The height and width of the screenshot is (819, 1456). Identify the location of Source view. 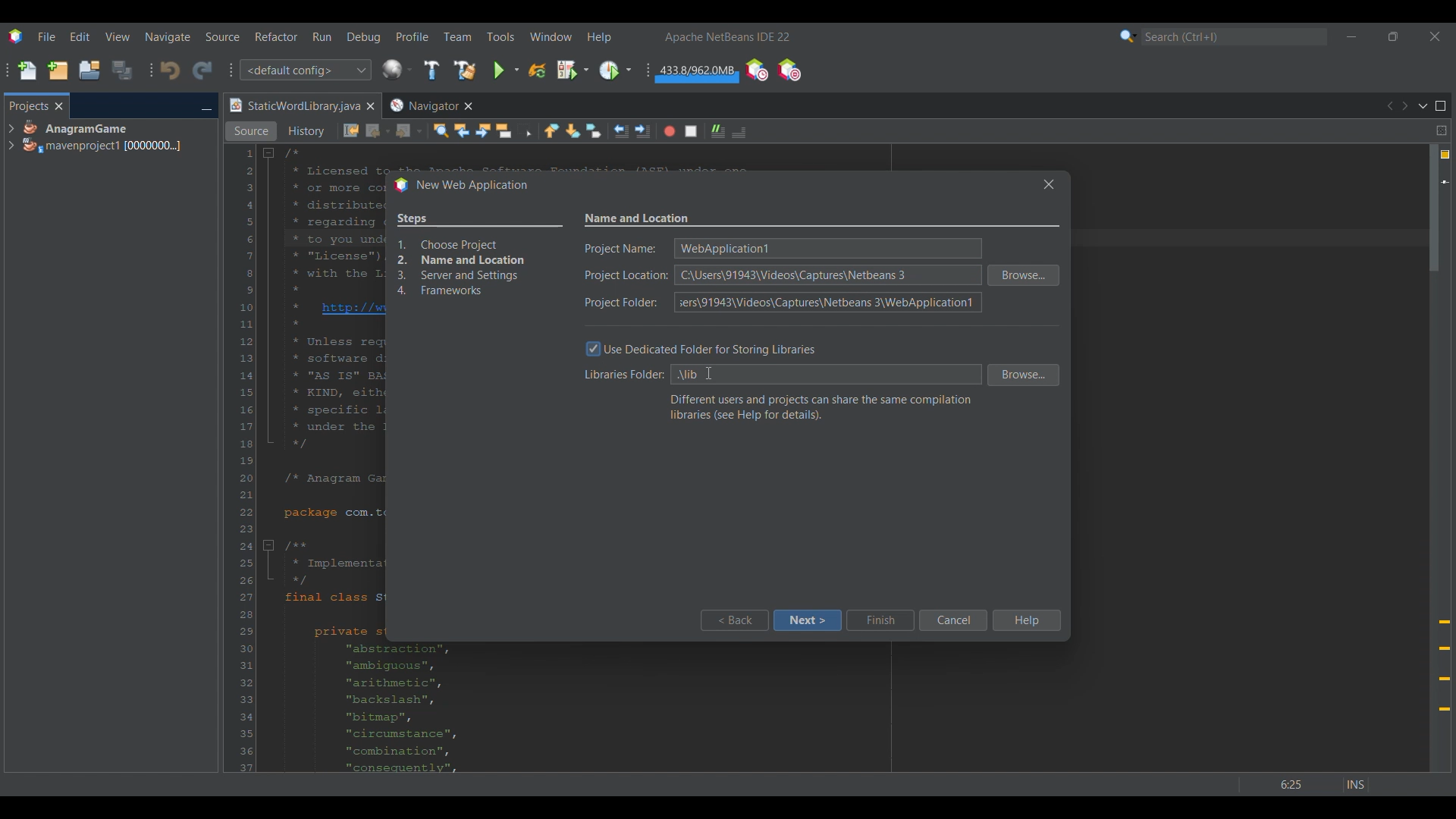
(251, 131).